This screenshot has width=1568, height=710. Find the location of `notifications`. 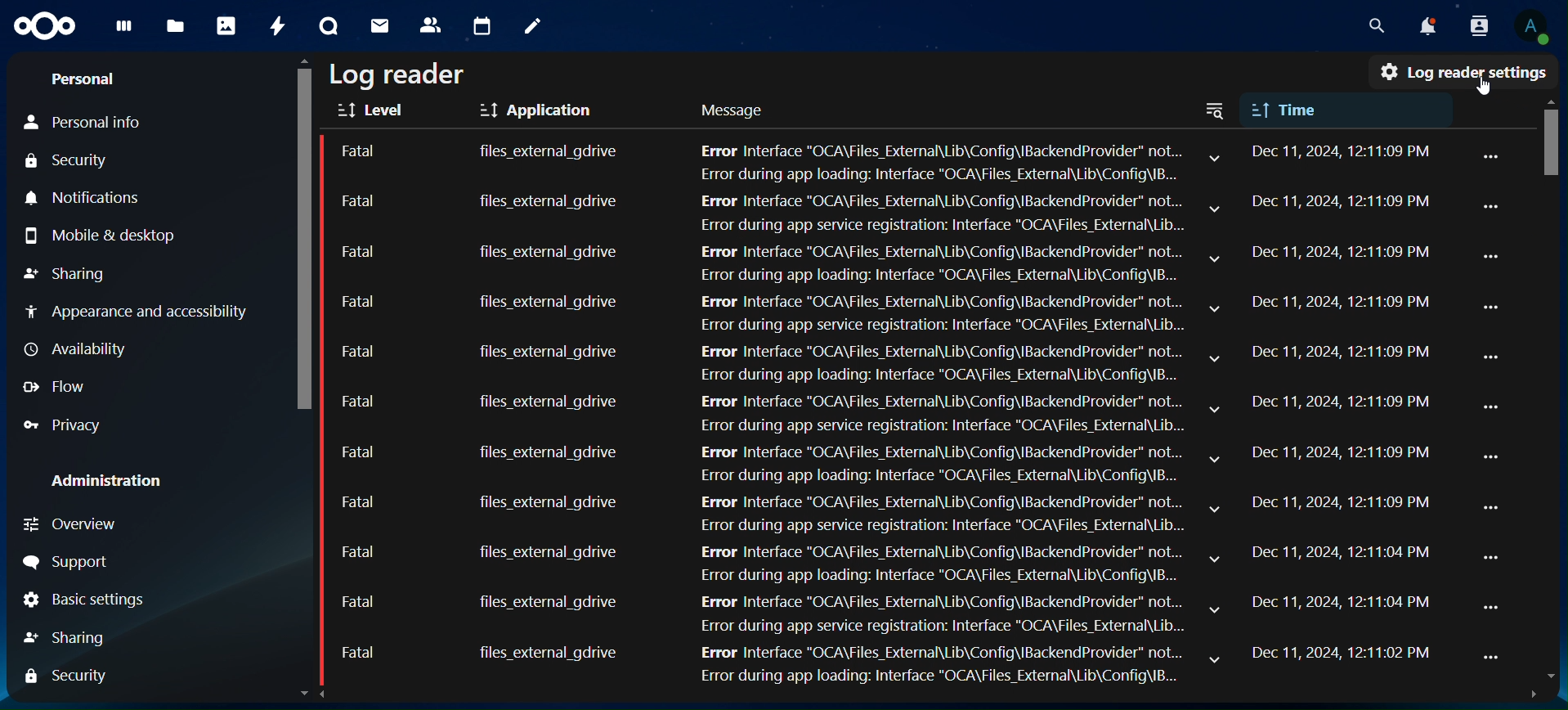

notifications is located at coordinates (85, 197).